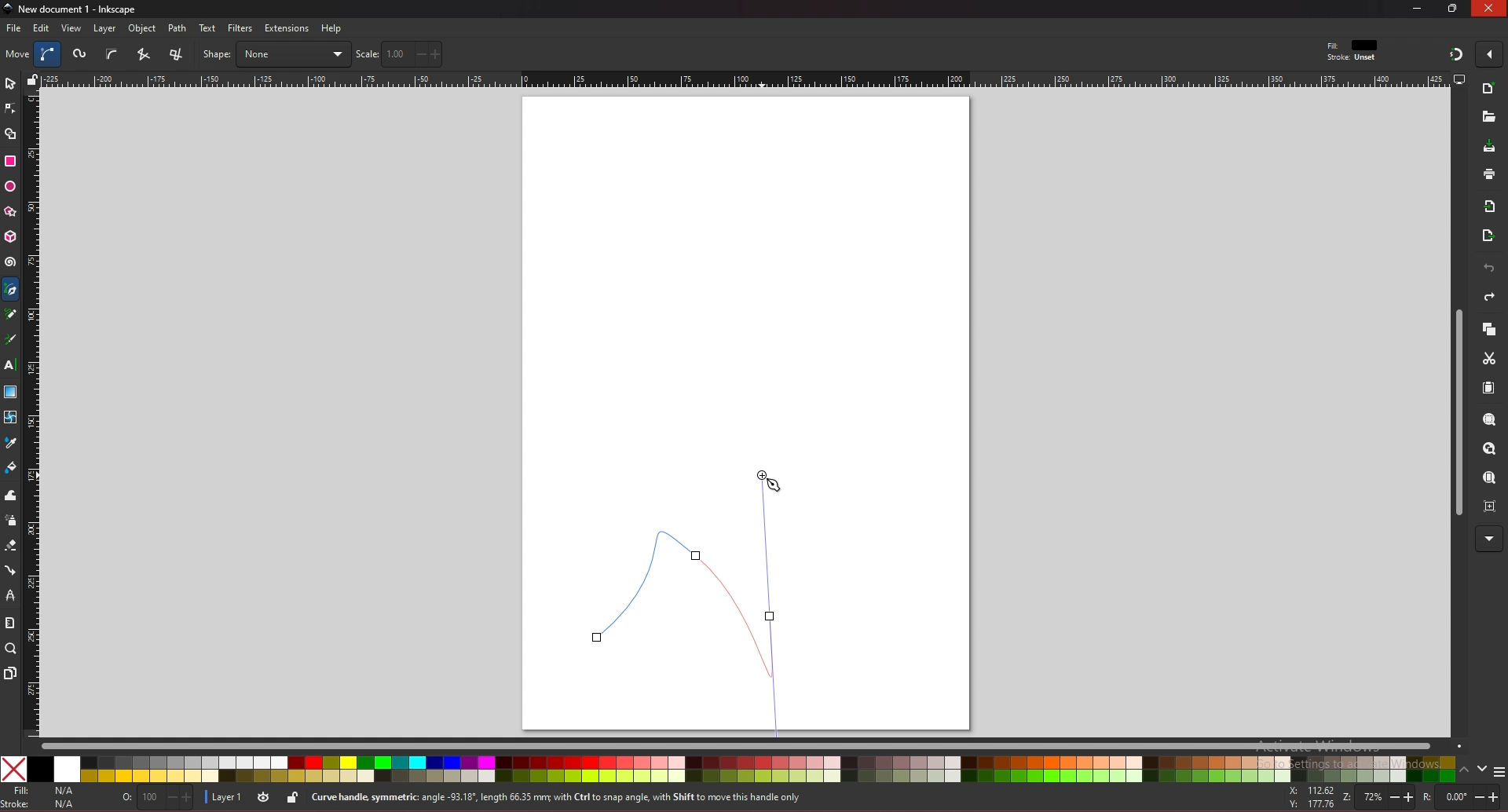 The height and width of the screenshot is (812, 1508). Describe the element at coordinates (1489, 540) in the screenshot. I see `more` at that location.